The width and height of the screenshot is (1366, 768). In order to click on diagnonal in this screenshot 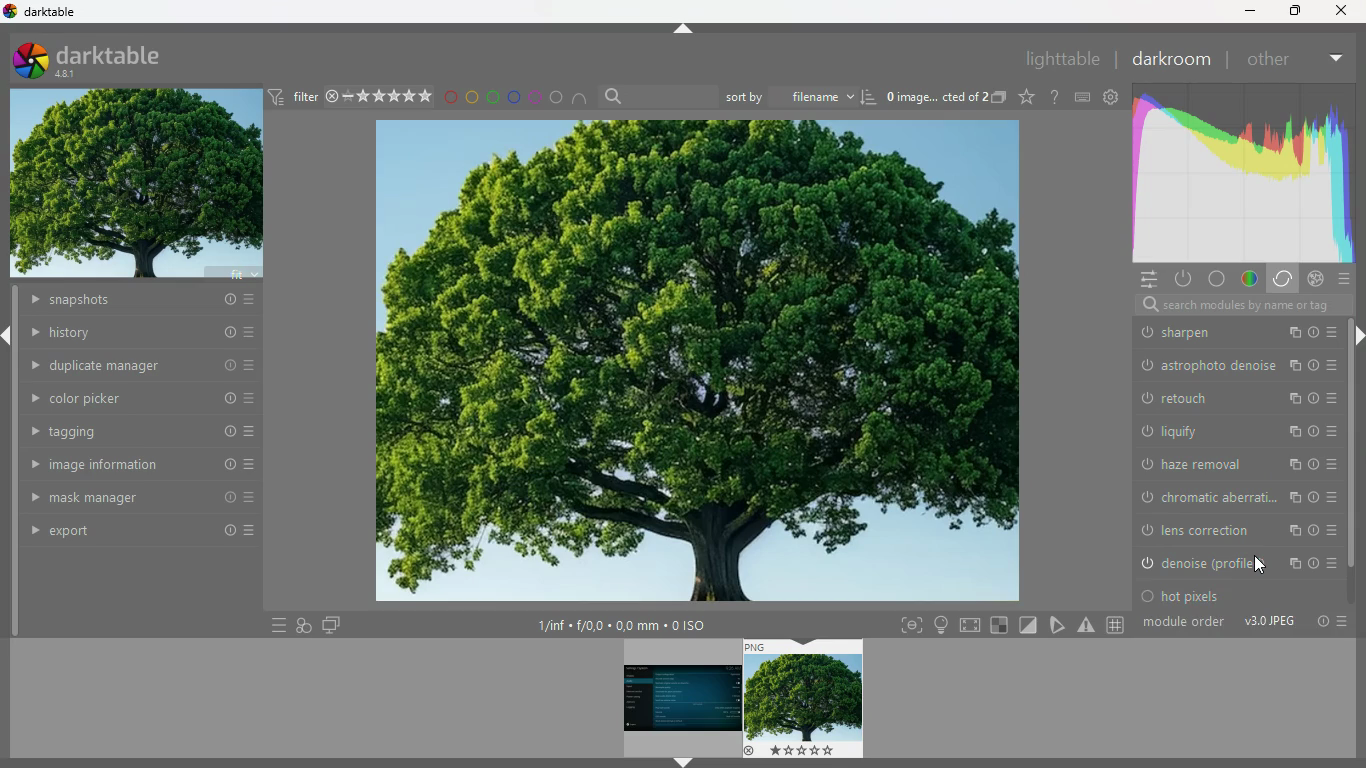, I will do `click(1028, 625)`.